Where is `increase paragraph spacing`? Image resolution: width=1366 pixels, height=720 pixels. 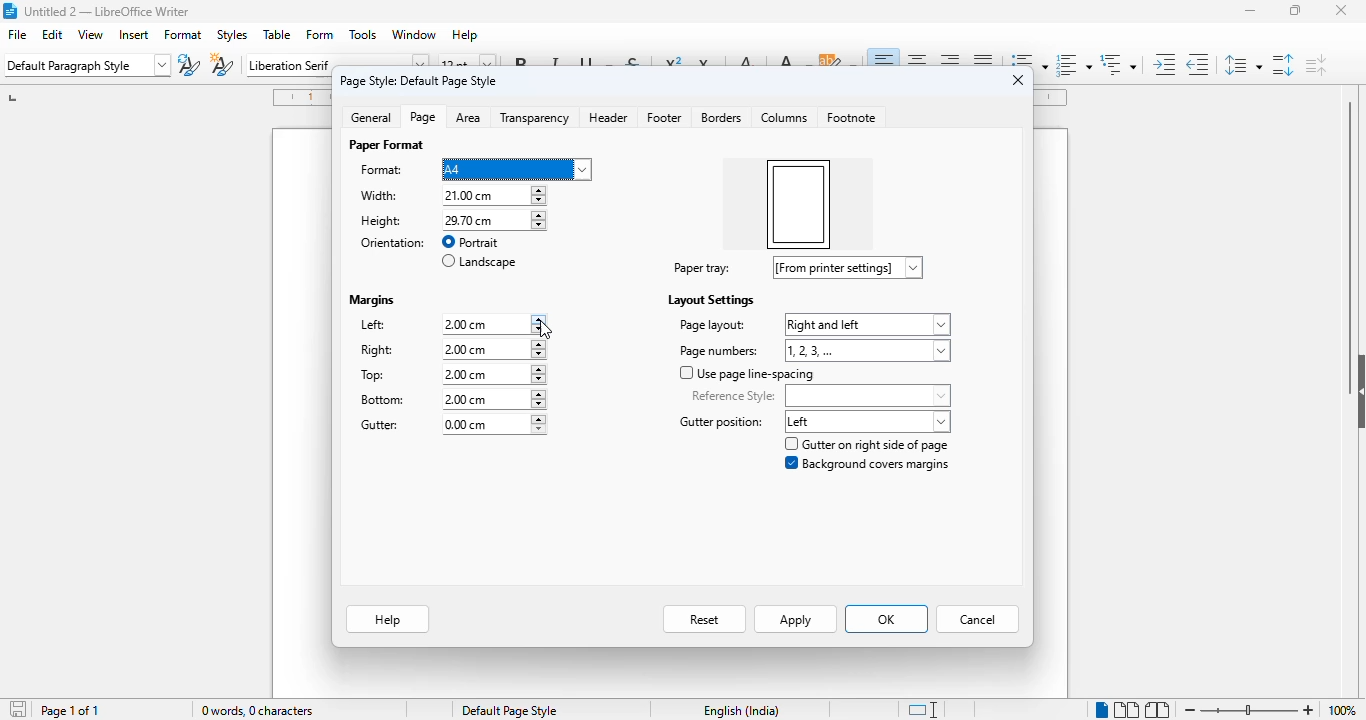
increase paragraph spacing is located at coordinates (1284, 65).